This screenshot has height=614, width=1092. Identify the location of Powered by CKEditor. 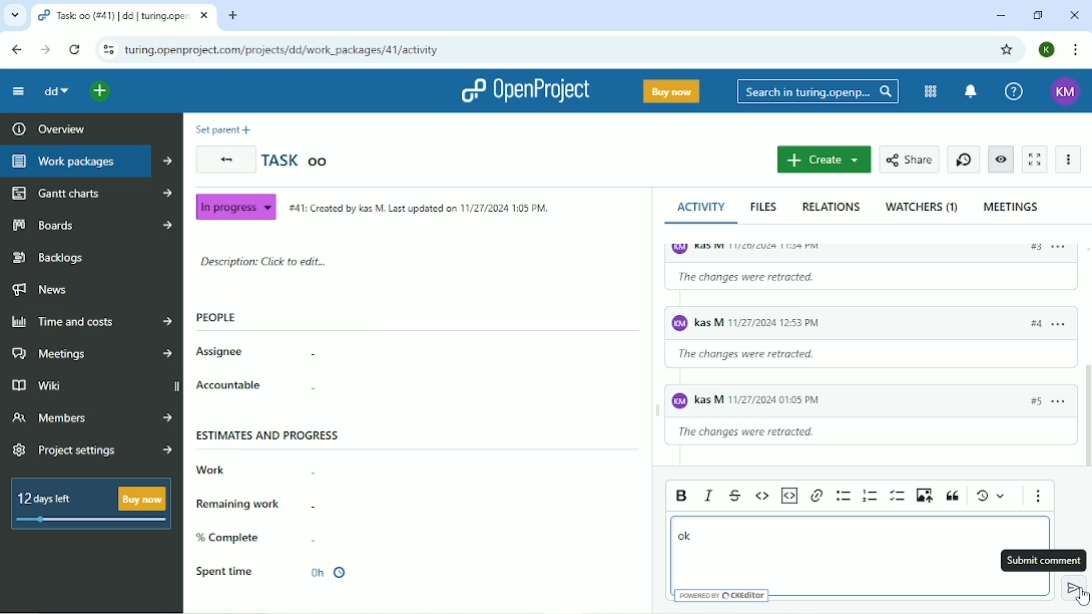
(723, 596).